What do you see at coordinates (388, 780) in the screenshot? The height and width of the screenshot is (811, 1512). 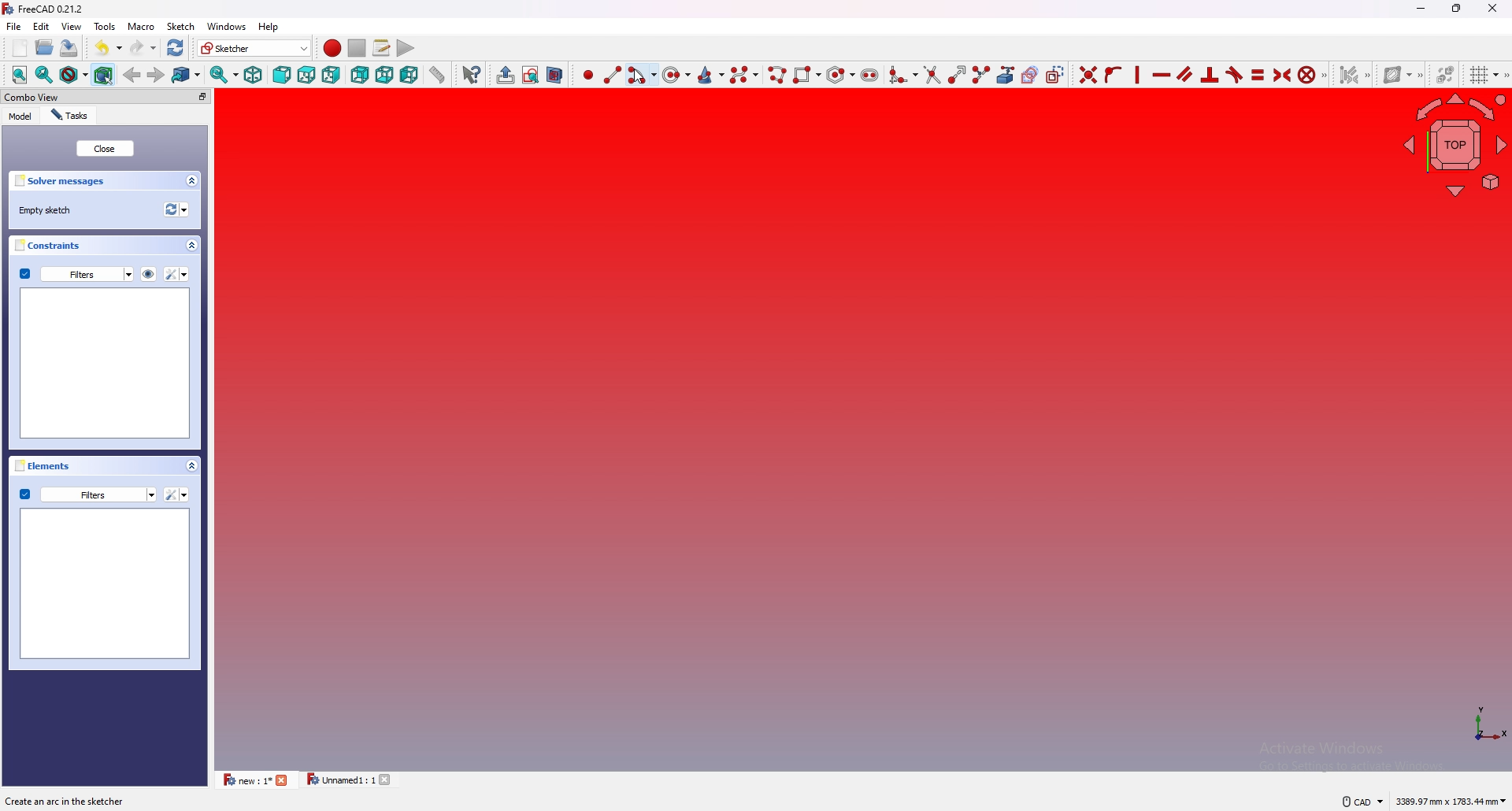 I see `close` at bounding box center [388, 780].